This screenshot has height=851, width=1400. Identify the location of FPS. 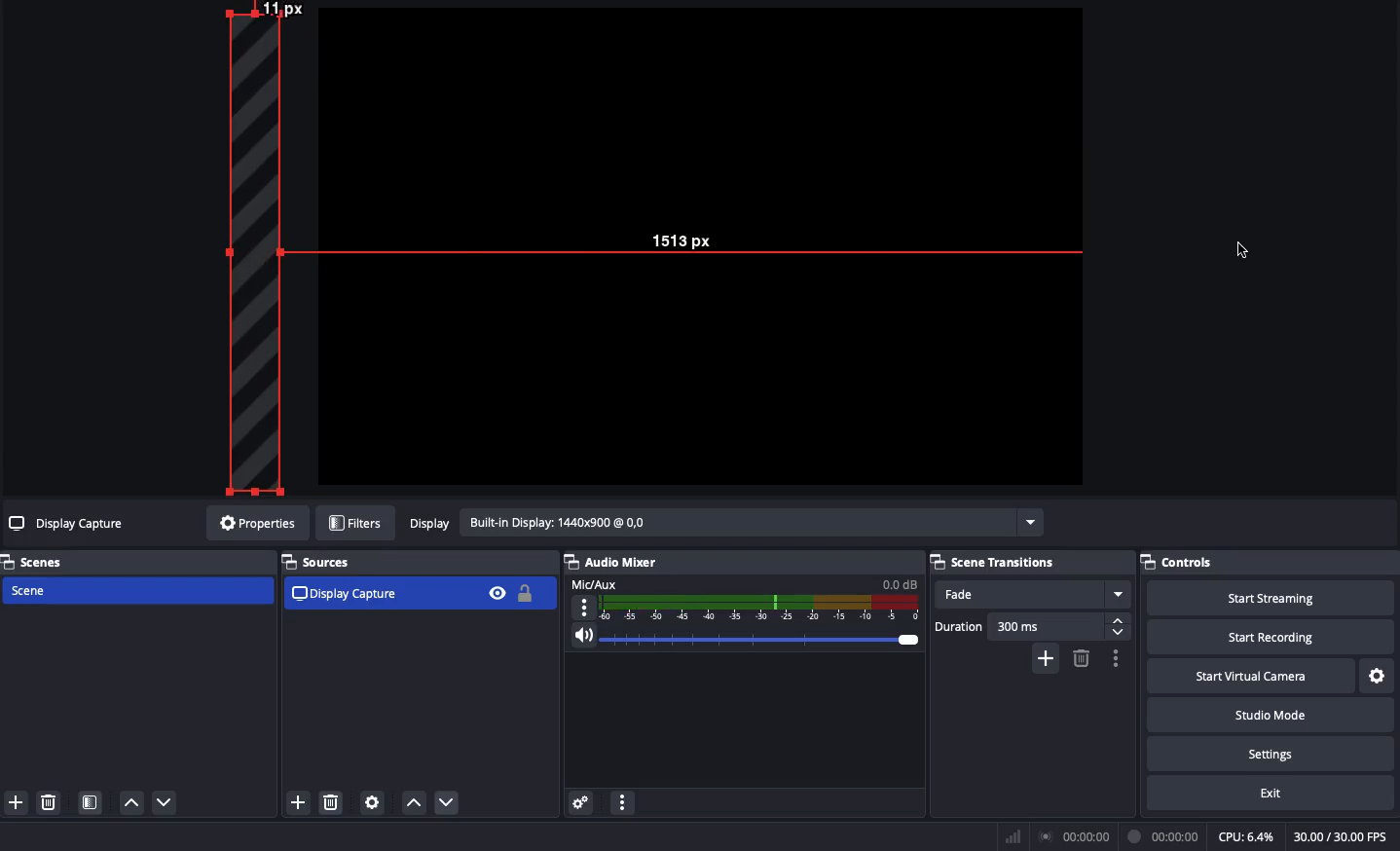
(1346, 836).